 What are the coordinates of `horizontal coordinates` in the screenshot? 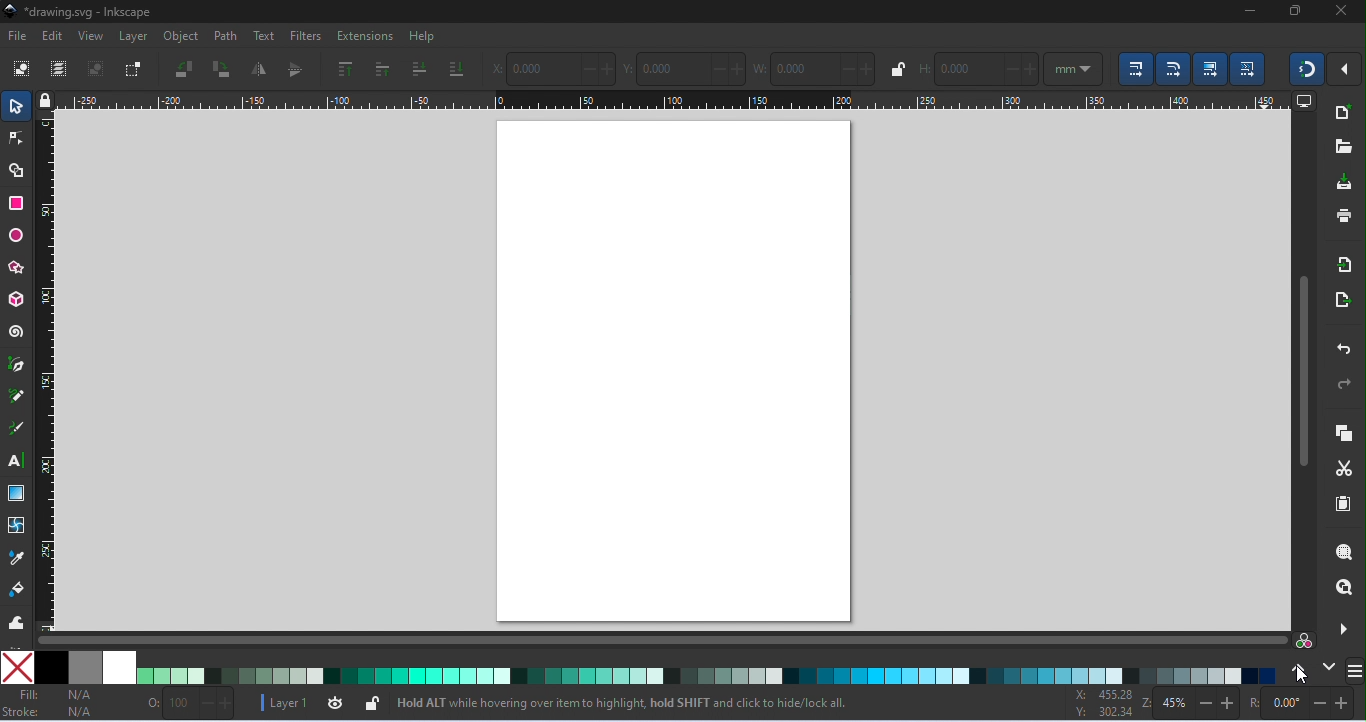 It's located at (552, 67).